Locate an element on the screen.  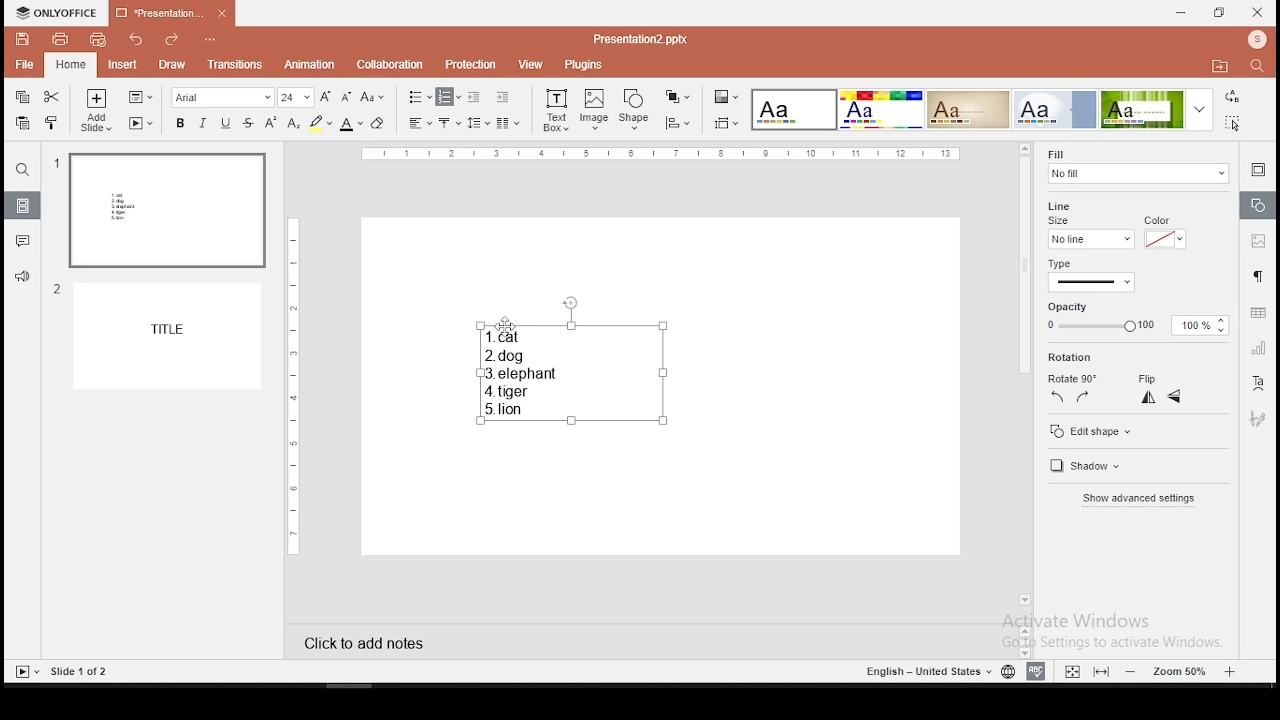
language is located at coordinates (1006, 670).